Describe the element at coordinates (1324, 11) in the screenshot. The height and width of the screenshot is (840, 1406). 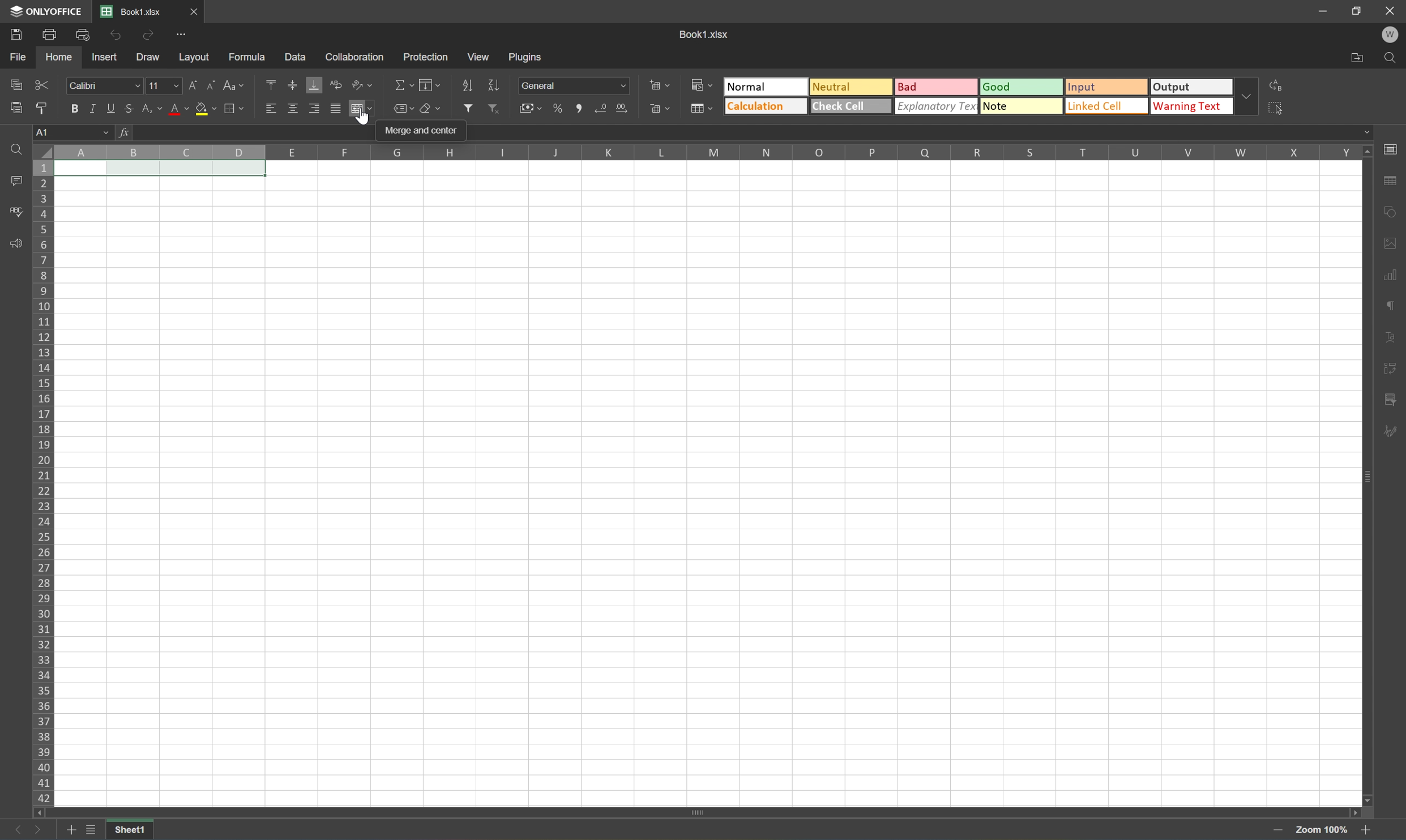
I see `Minimize` at that location.